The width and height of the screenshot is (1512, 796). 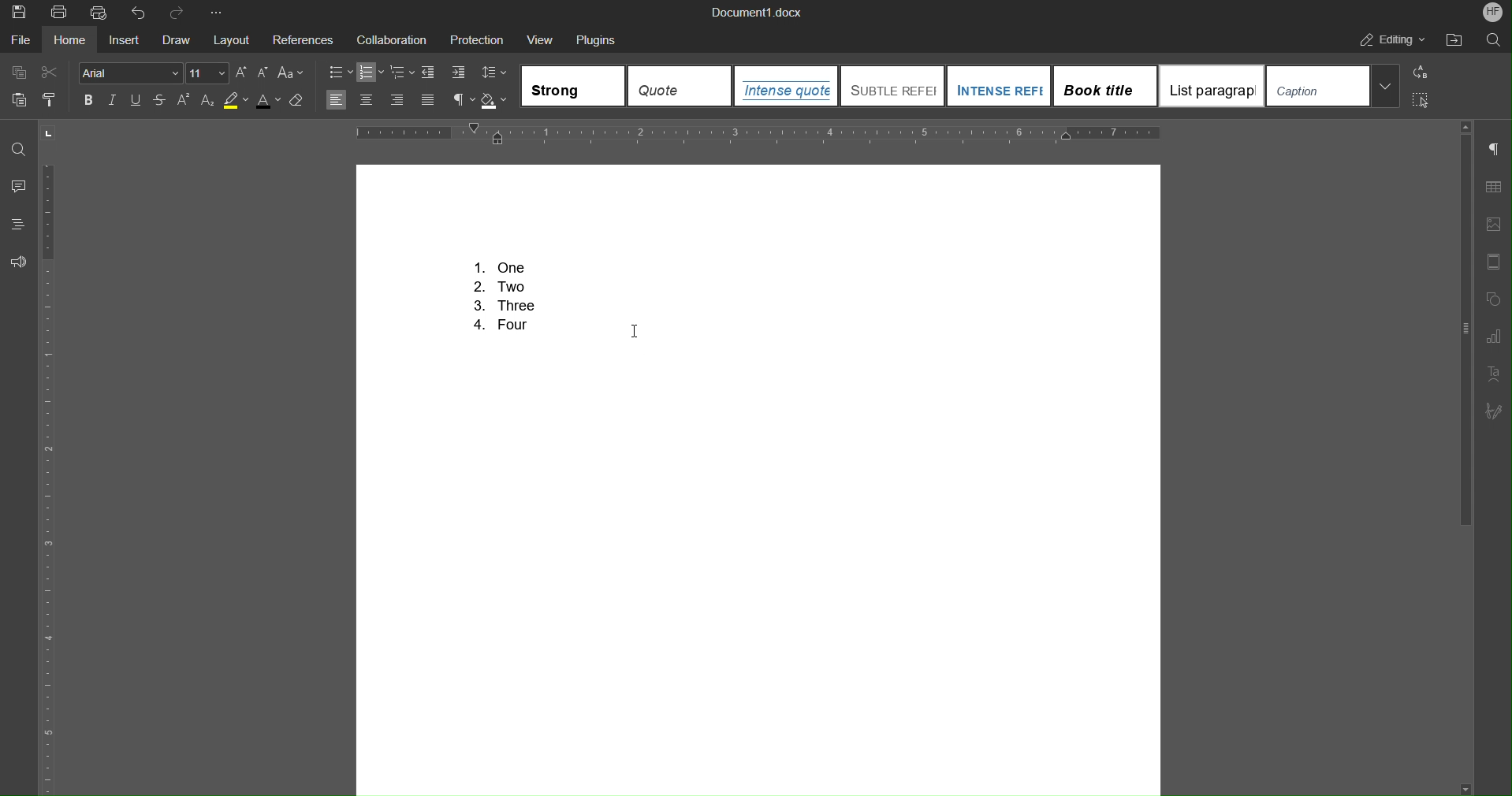 What do you see at coordinates (111, 101) in the screenshot?
I see `Italics` at bounding box center [111, 101].